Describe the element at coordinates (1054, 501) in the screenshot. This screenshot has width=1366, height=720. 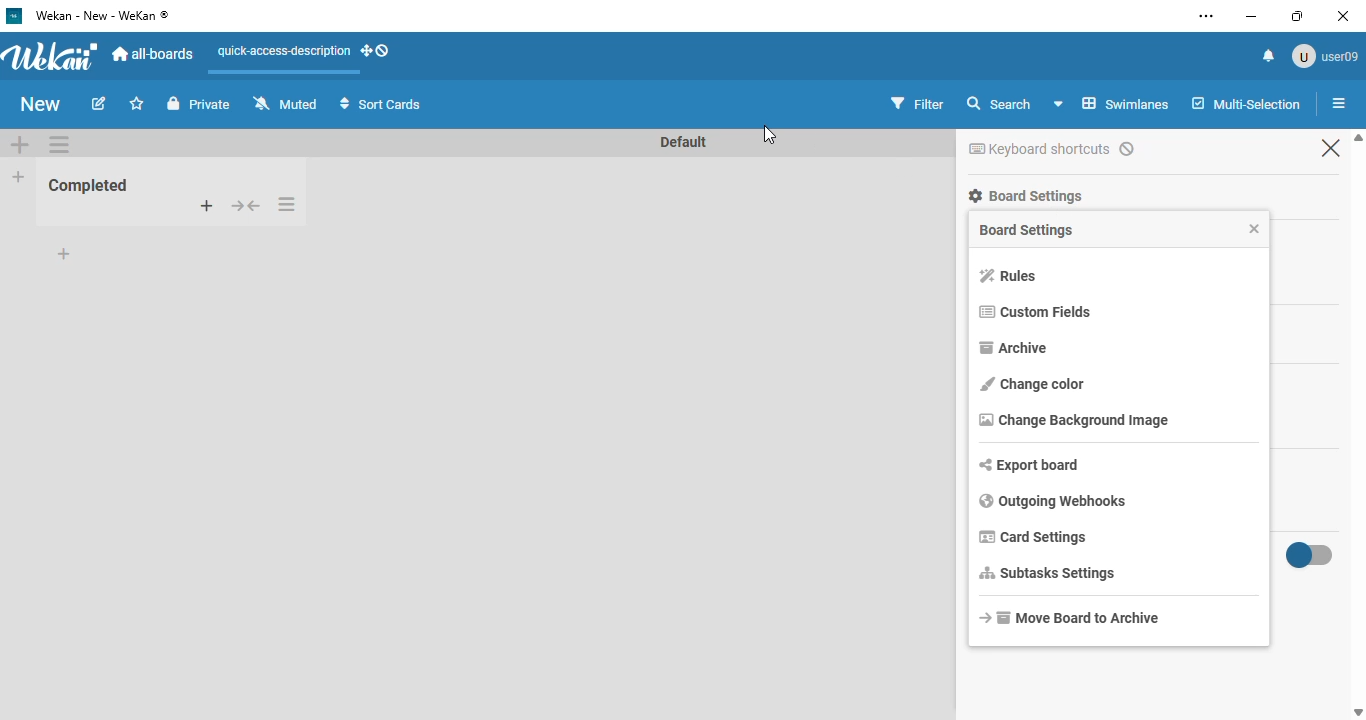
I see `outgoing webhooks` at that location.